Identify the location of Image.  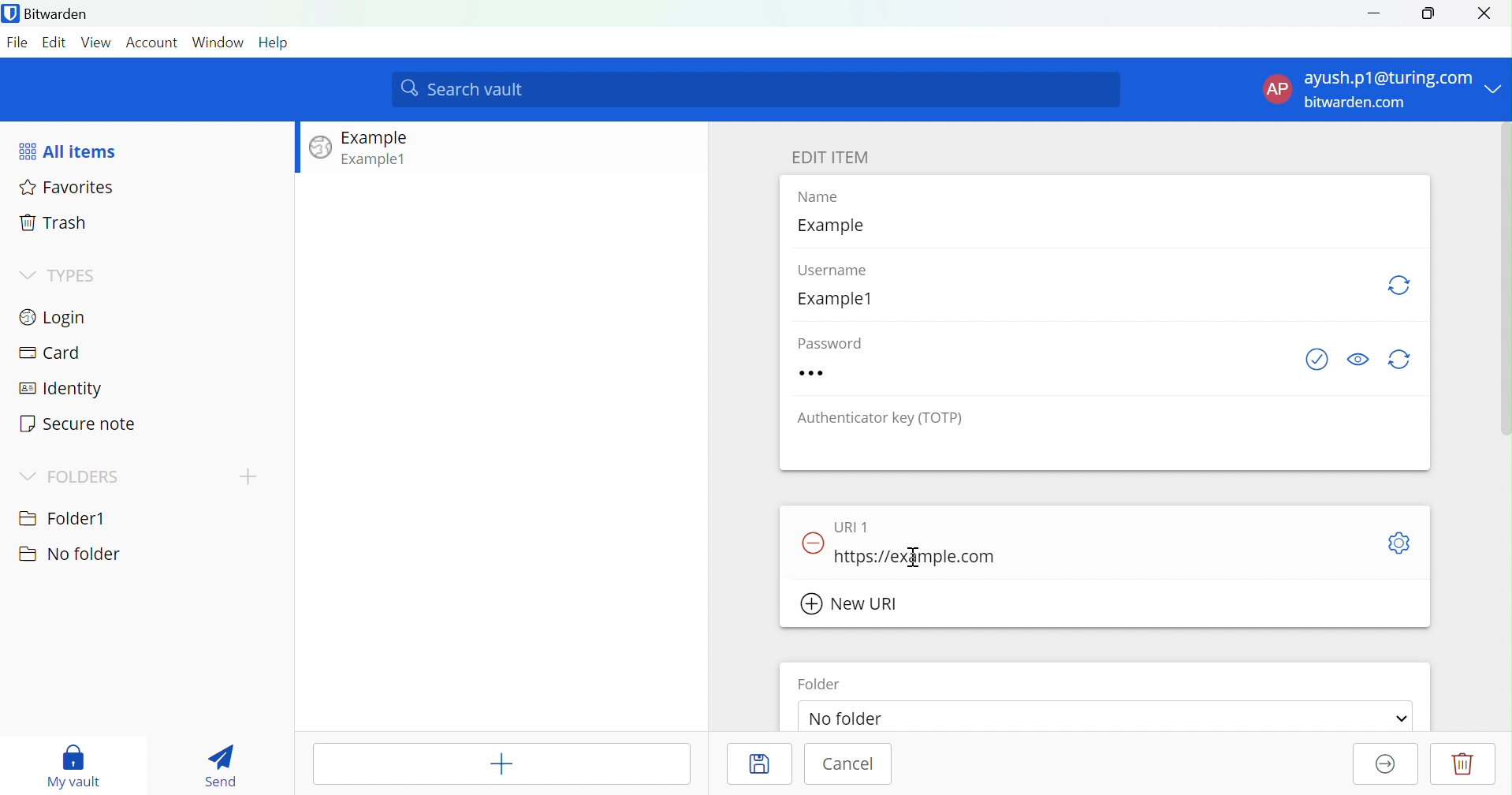
(321, 148).